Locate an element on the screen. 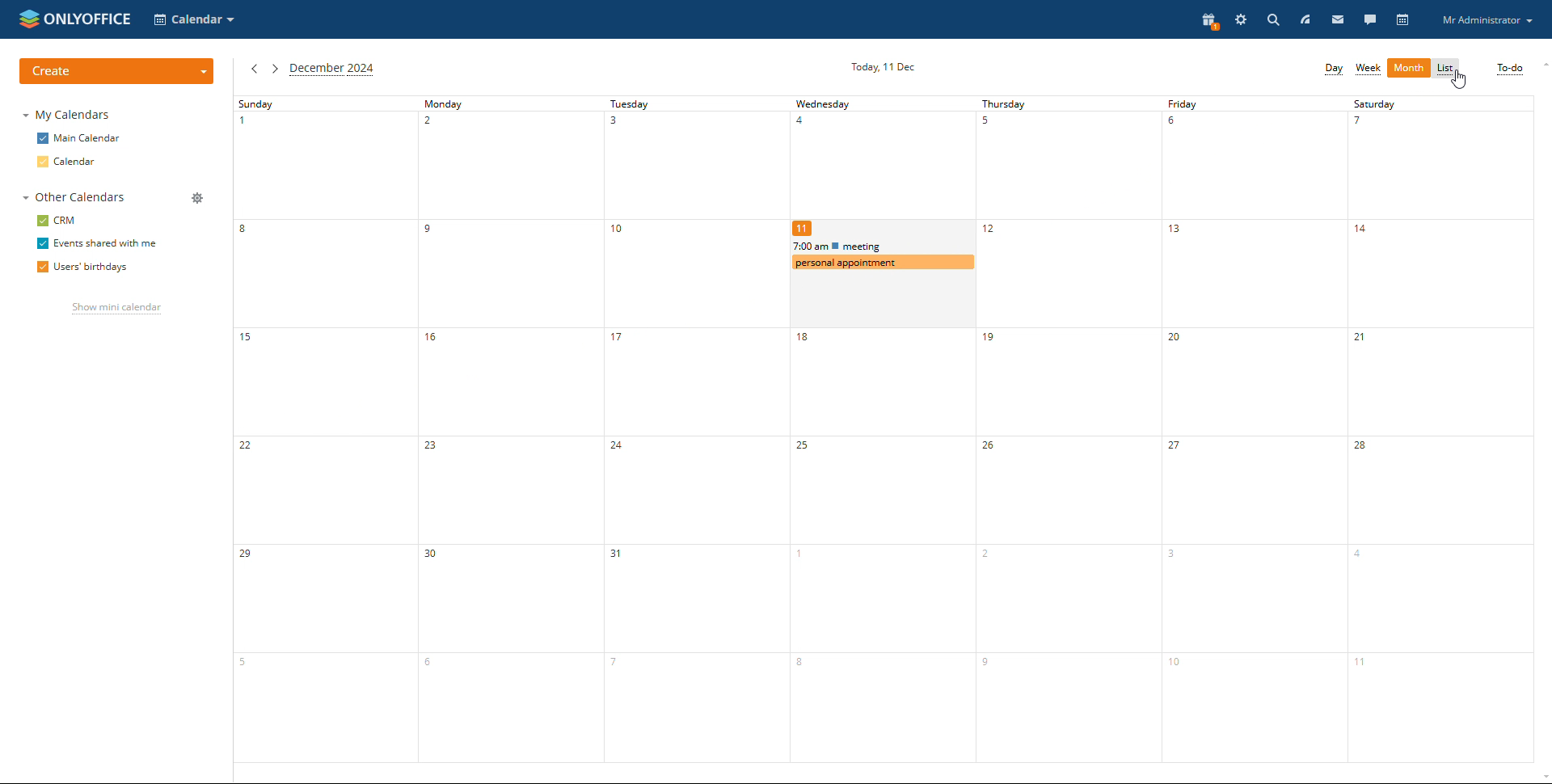 This screenshot has width=1552, height=784. search is located at coordinates (1272, 20).